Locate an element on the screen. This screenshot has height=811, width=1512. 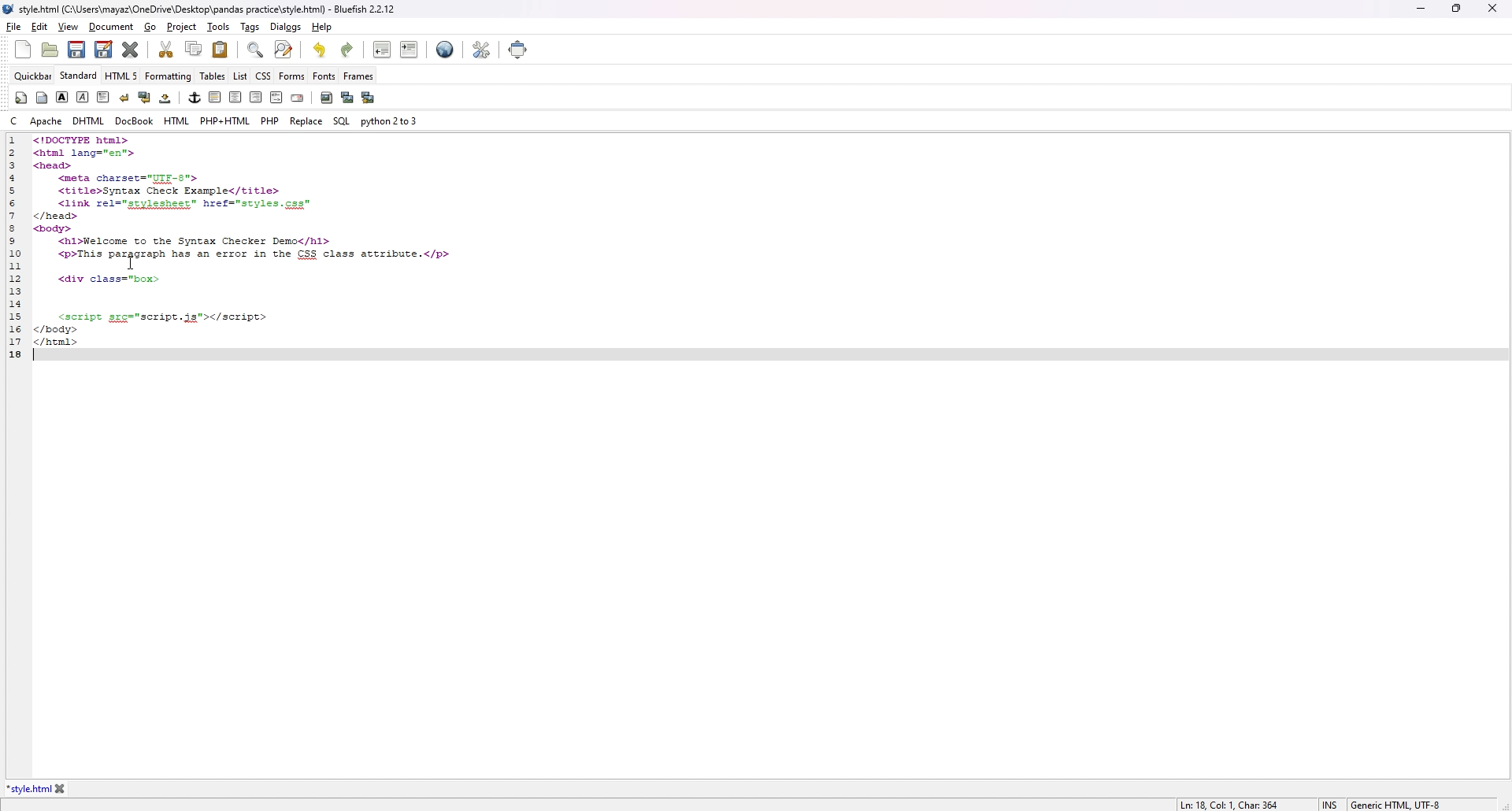
python 2to3 is located at coordinates (387, 121).